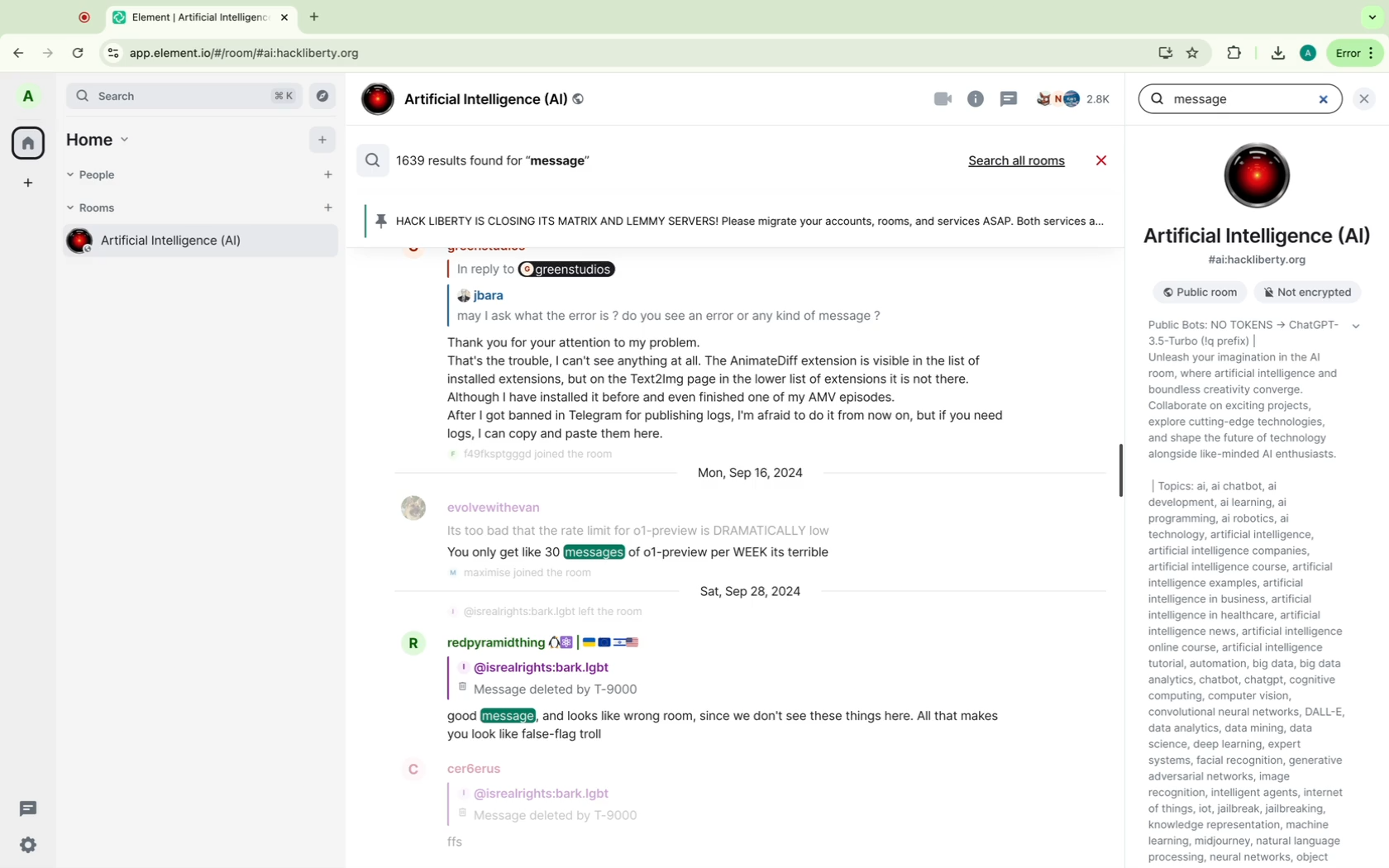 The height and width of the screenshot is (868, 1389). I want to click on message, so click(728, 727).